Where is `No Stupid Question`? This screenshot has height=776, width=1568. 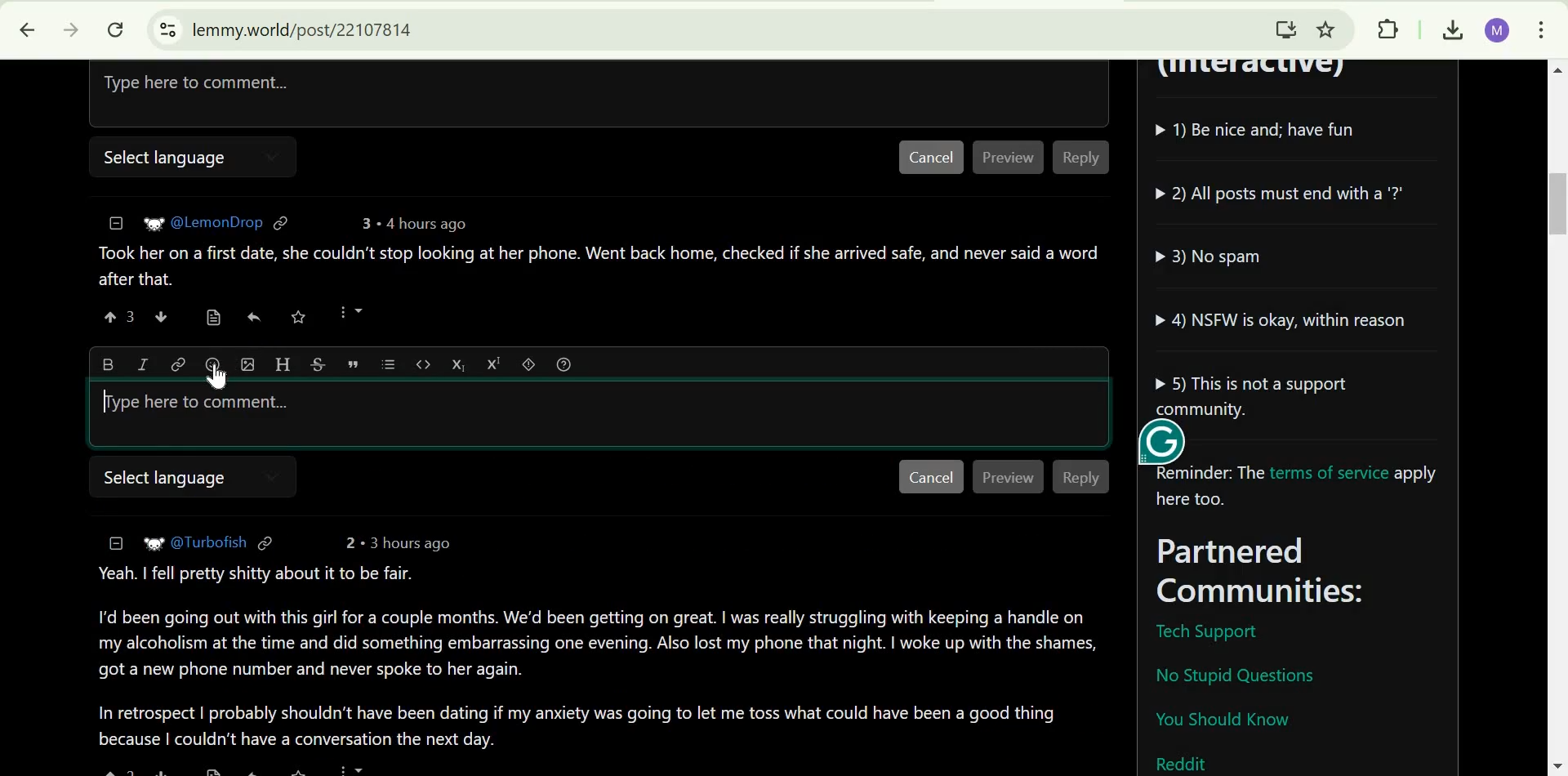 No Stupid Question is located at coordinates (1242, 674).